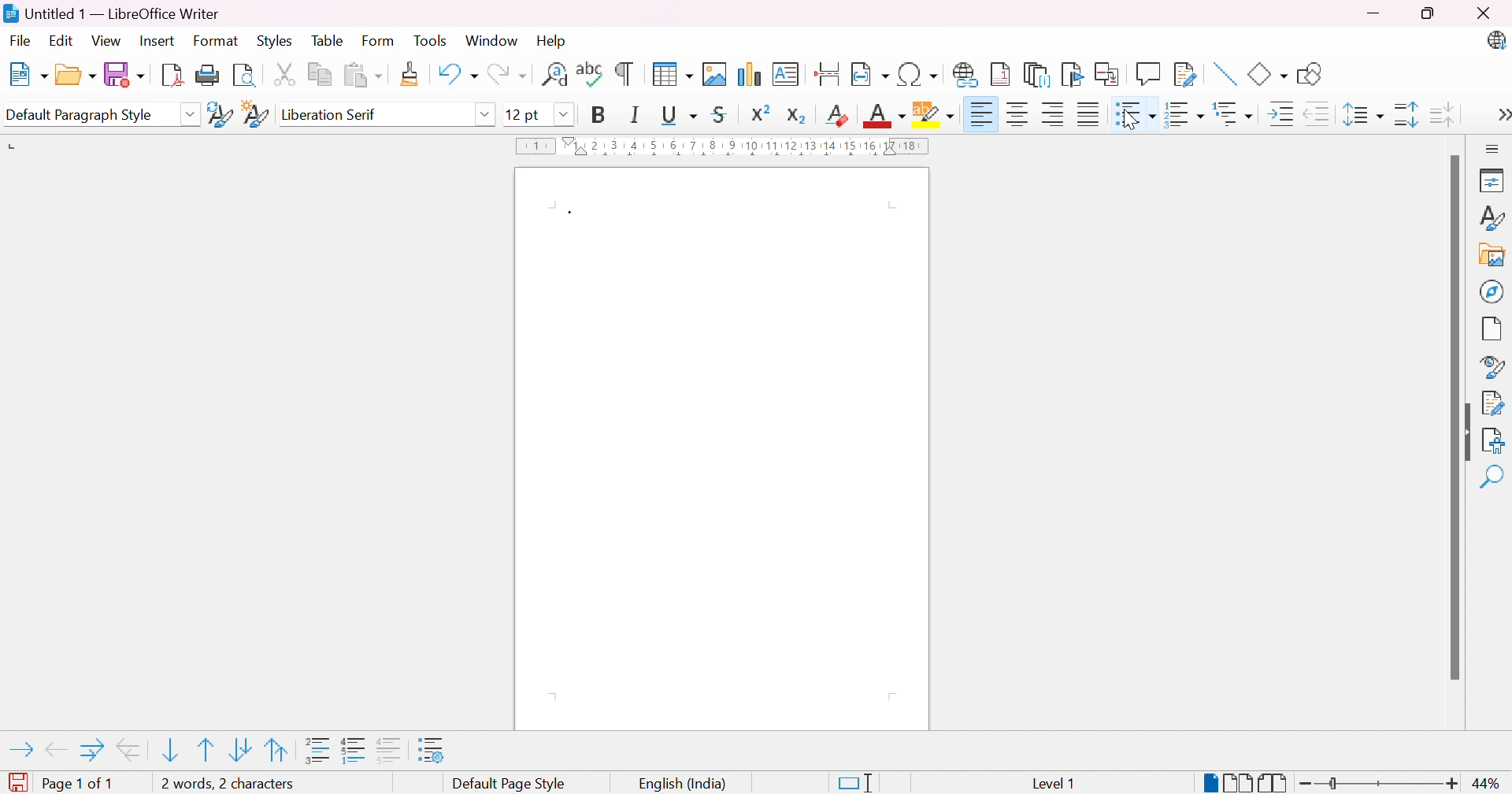 Image resolution: width=1512 pixels, height=794 pixels. Describe the element at coordinates (1493, 291) in the screenshot. I see `Naigator` at that location.